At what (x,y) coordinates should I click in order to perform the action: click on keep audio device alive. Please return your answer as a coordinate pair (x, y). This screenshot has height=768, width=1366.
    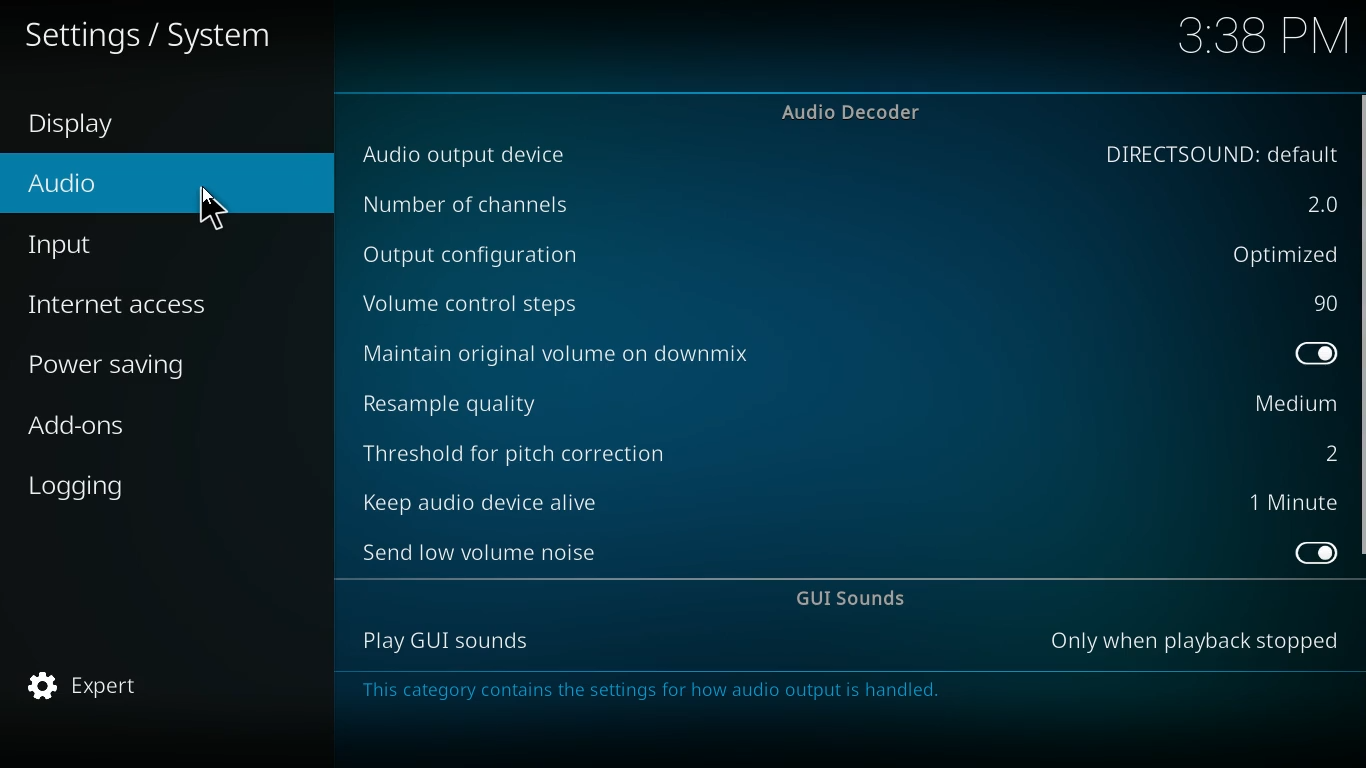
    Looking at the image, I should click on (480, 496).